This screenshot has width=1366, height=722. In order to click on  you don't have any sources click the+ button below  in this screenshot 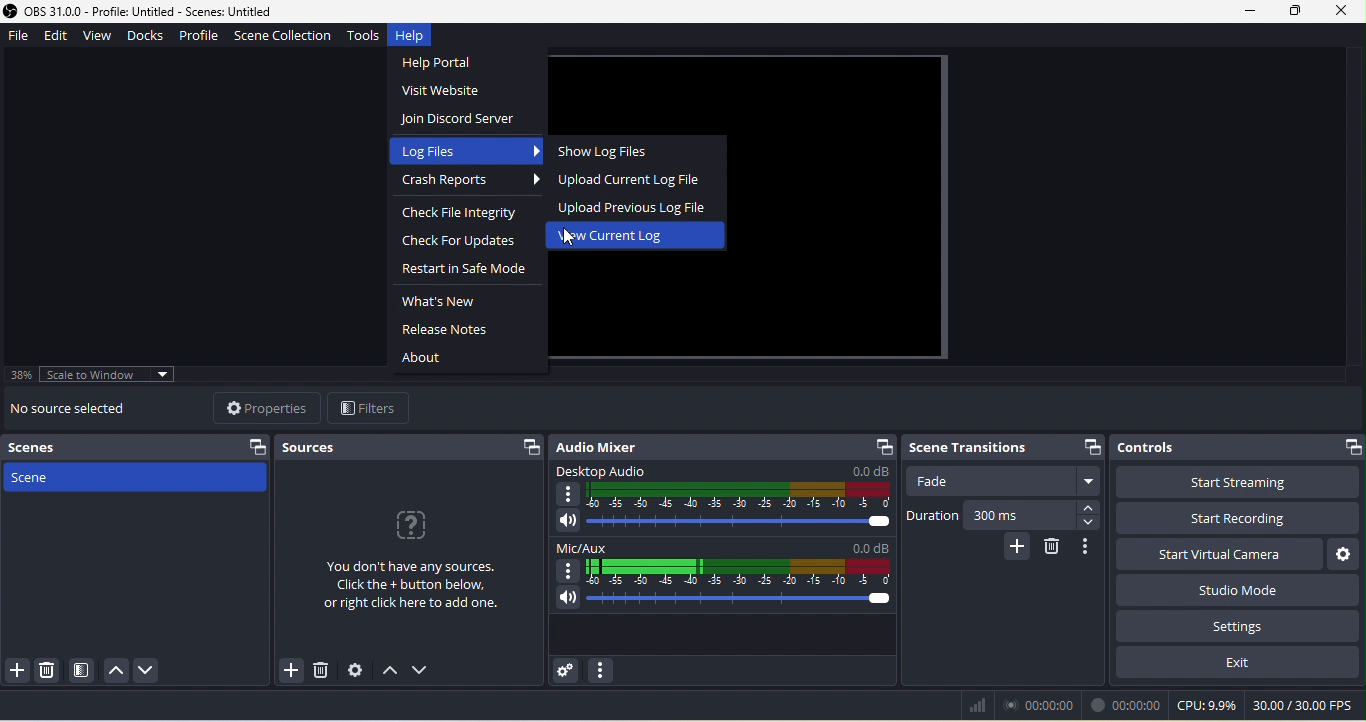, I will do `click(409, 570)`.